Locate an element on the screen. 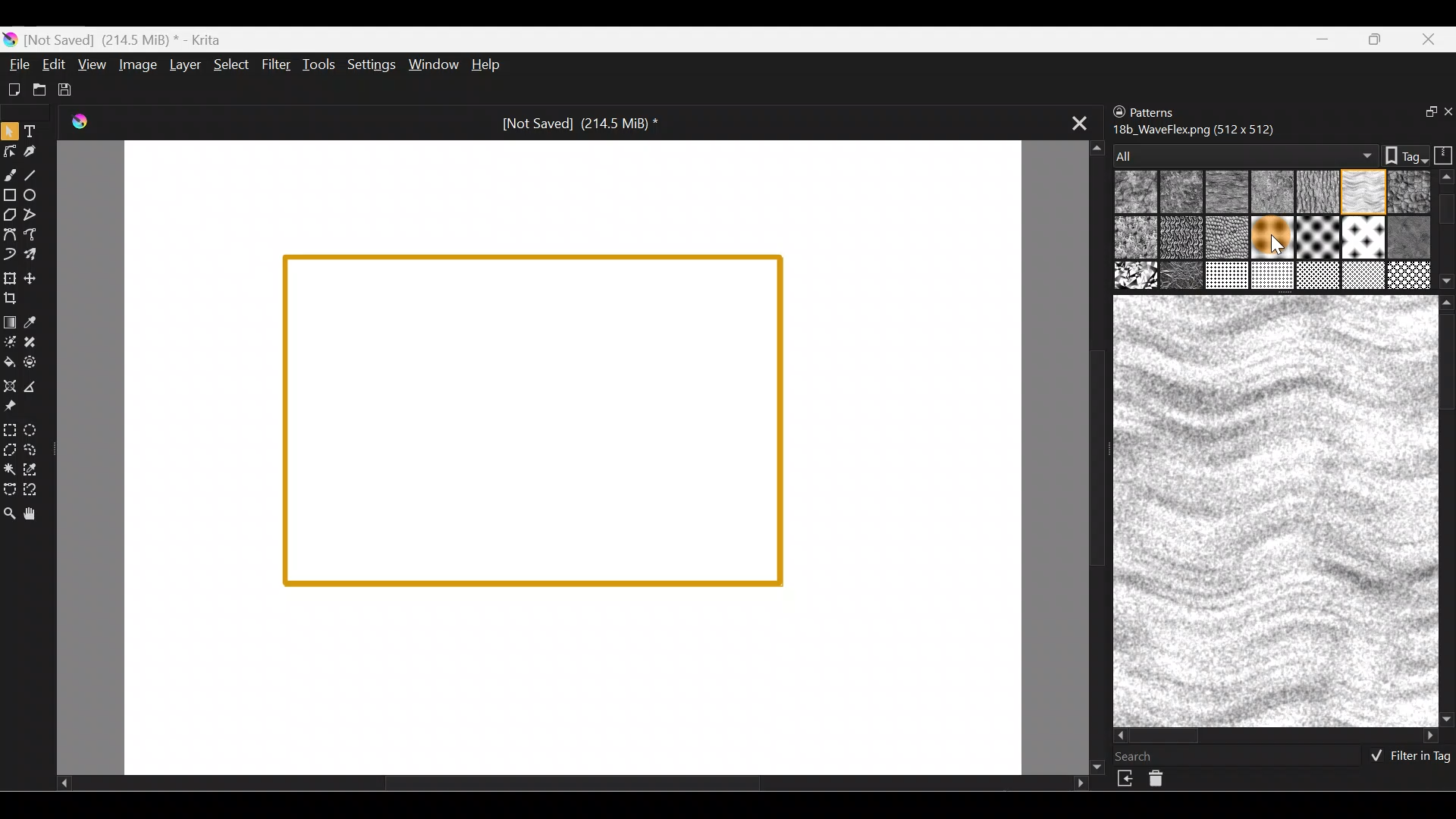 The width and height of the screenshot is (1456, 819). Freehand path tool is located at coordinates (33, 234).